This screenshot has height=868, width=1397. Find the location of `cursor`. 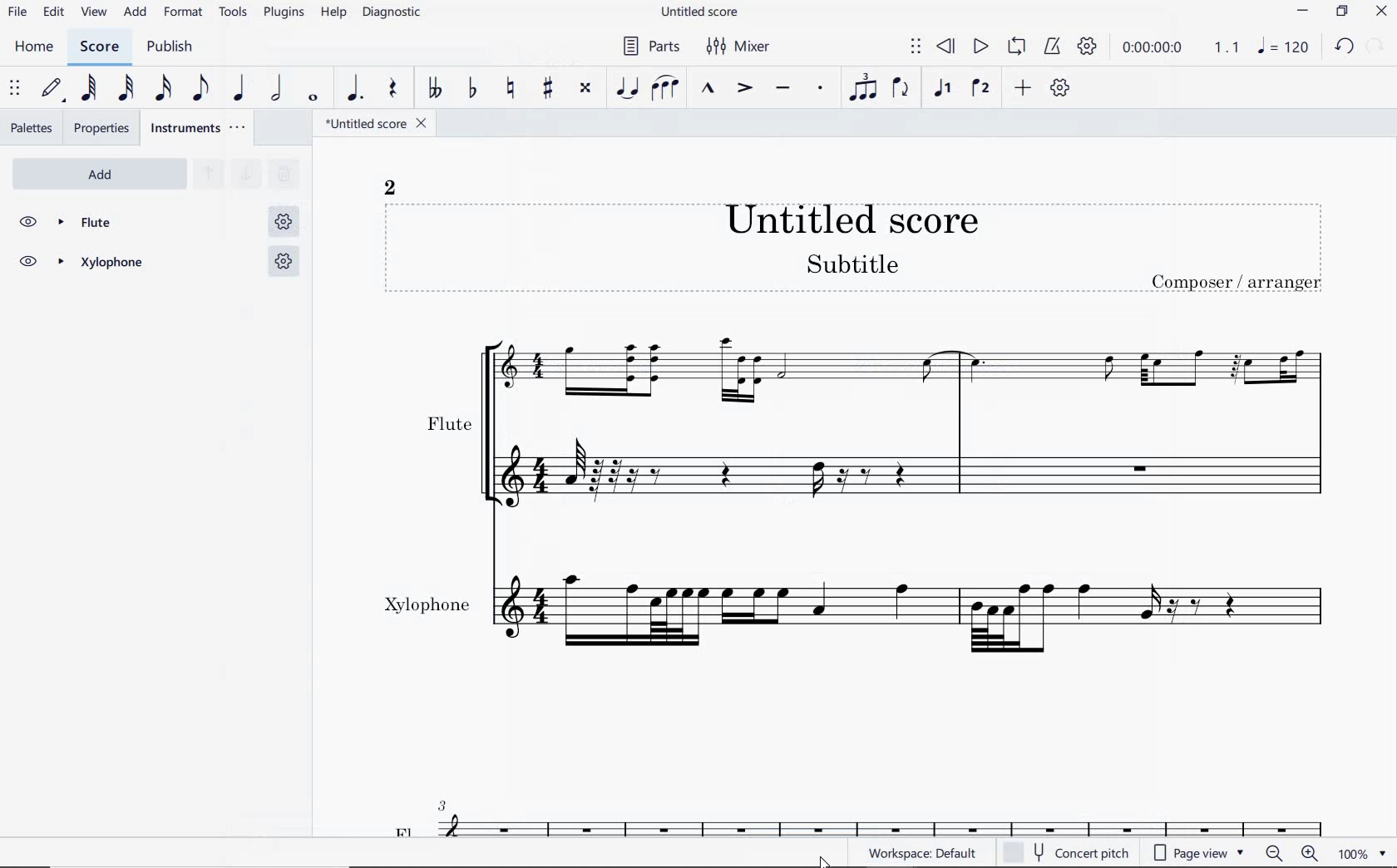

cursor is located at coordinates (820, 860).